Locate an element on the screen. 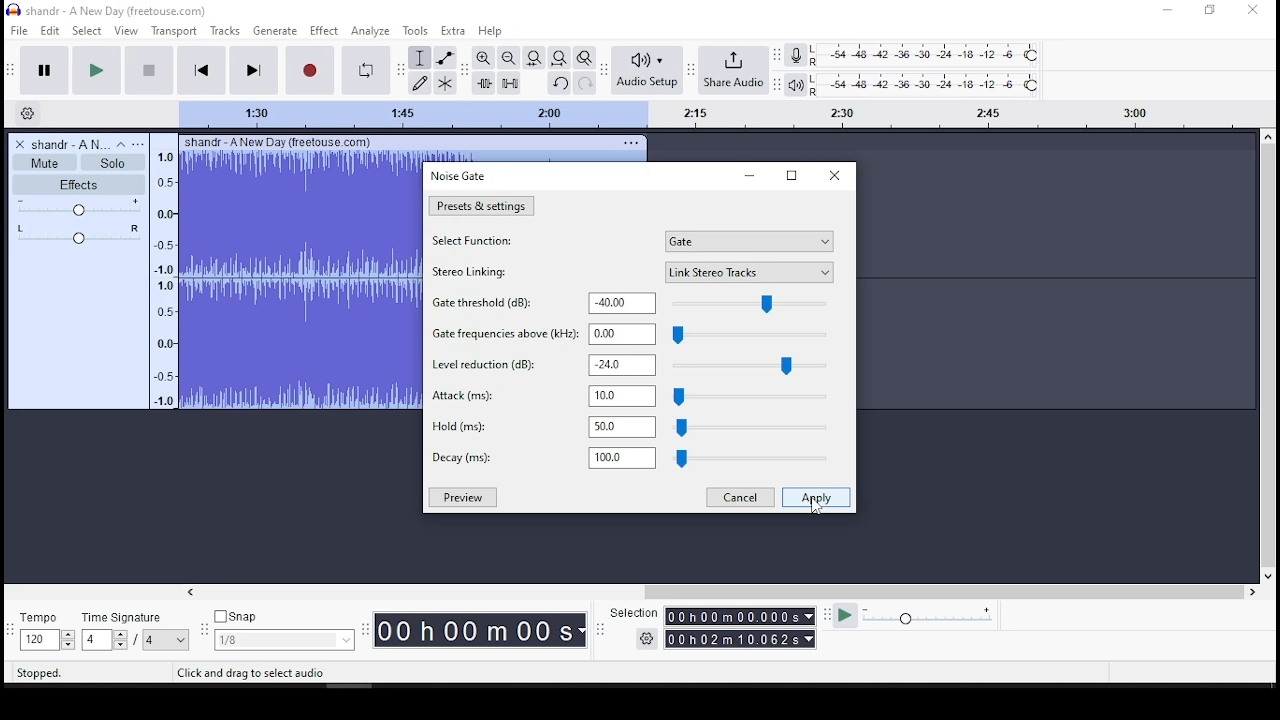  delete track is located at coordinates (20, 144).